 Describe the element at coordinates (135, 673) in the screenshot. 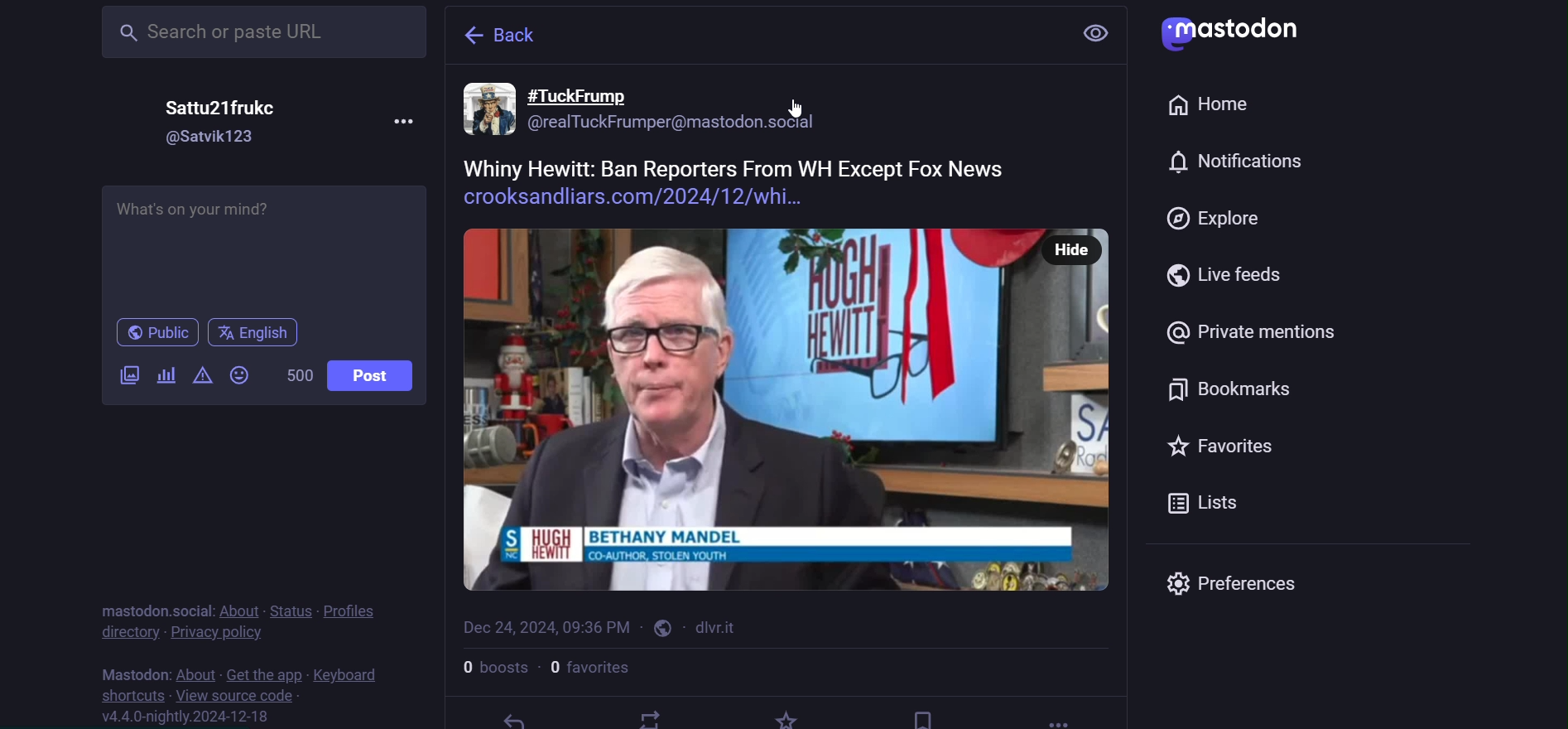

I see `mastodon` at that location.